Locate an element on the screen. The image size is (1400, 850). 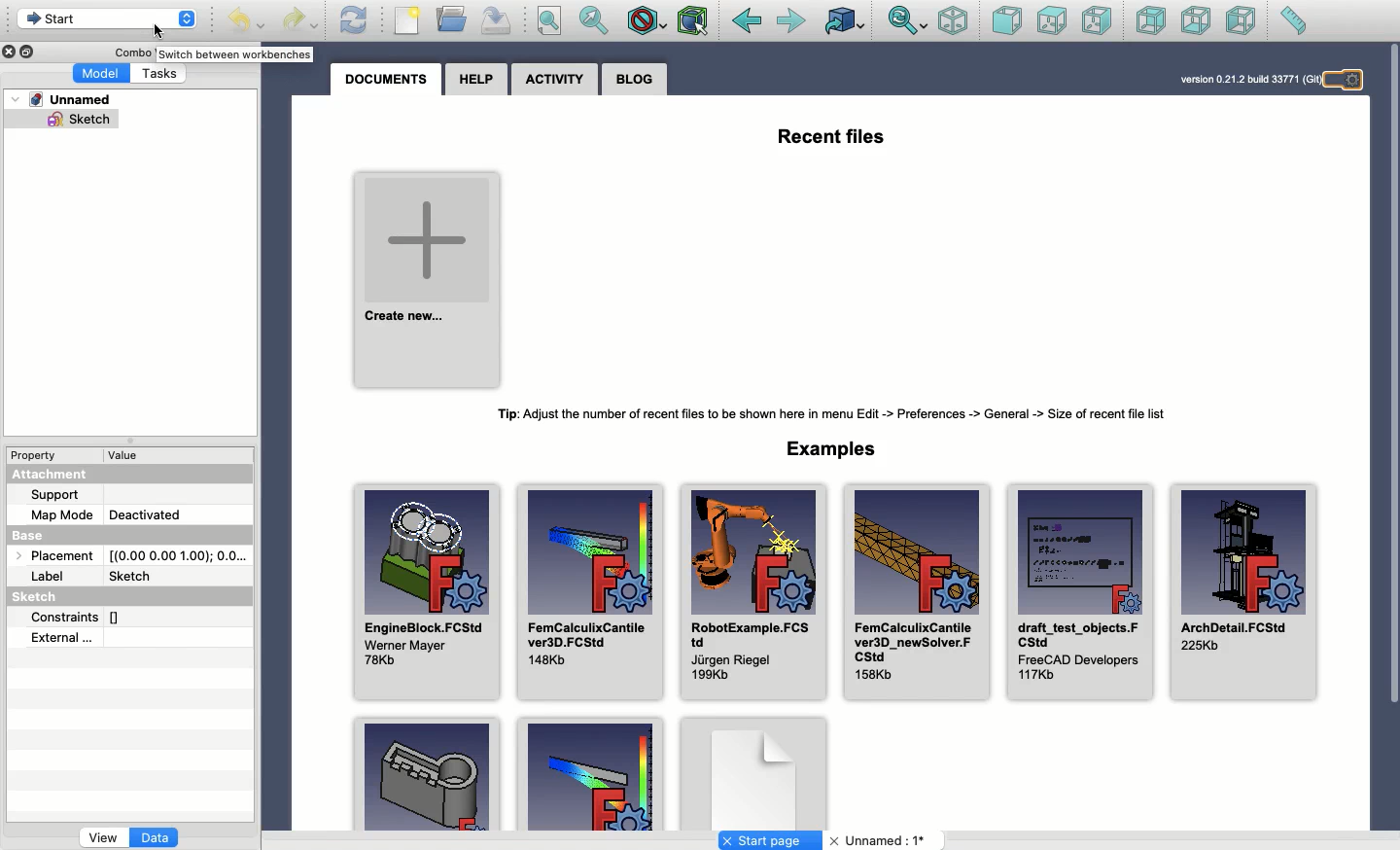
FemCalculixCantile is located at coordinates (591, 593).